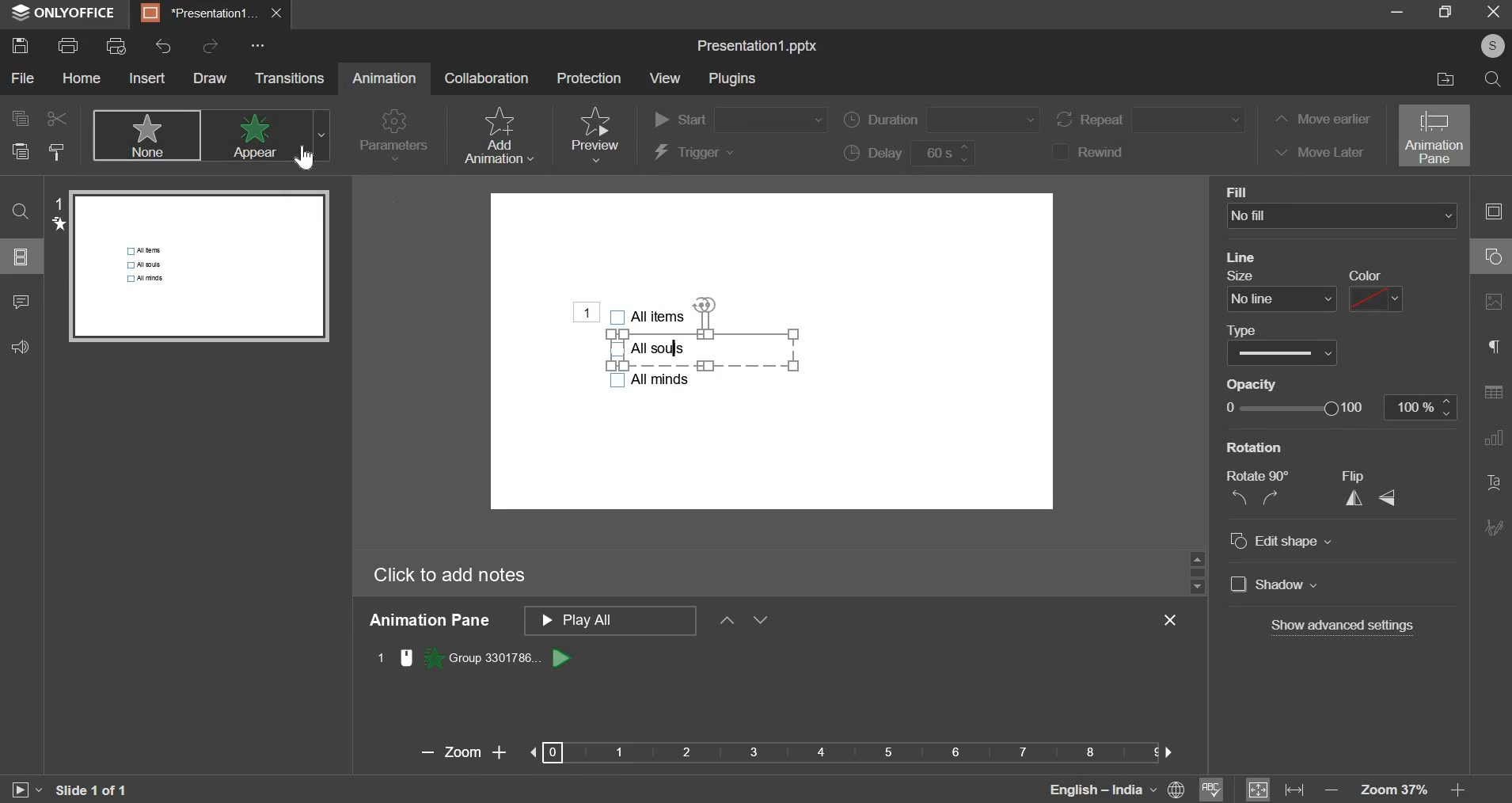 The height and width of the screenshot is (803, 1512). Describe the element at coordinates (1445, 13) in the screenshot. I see `maximize` at that location.